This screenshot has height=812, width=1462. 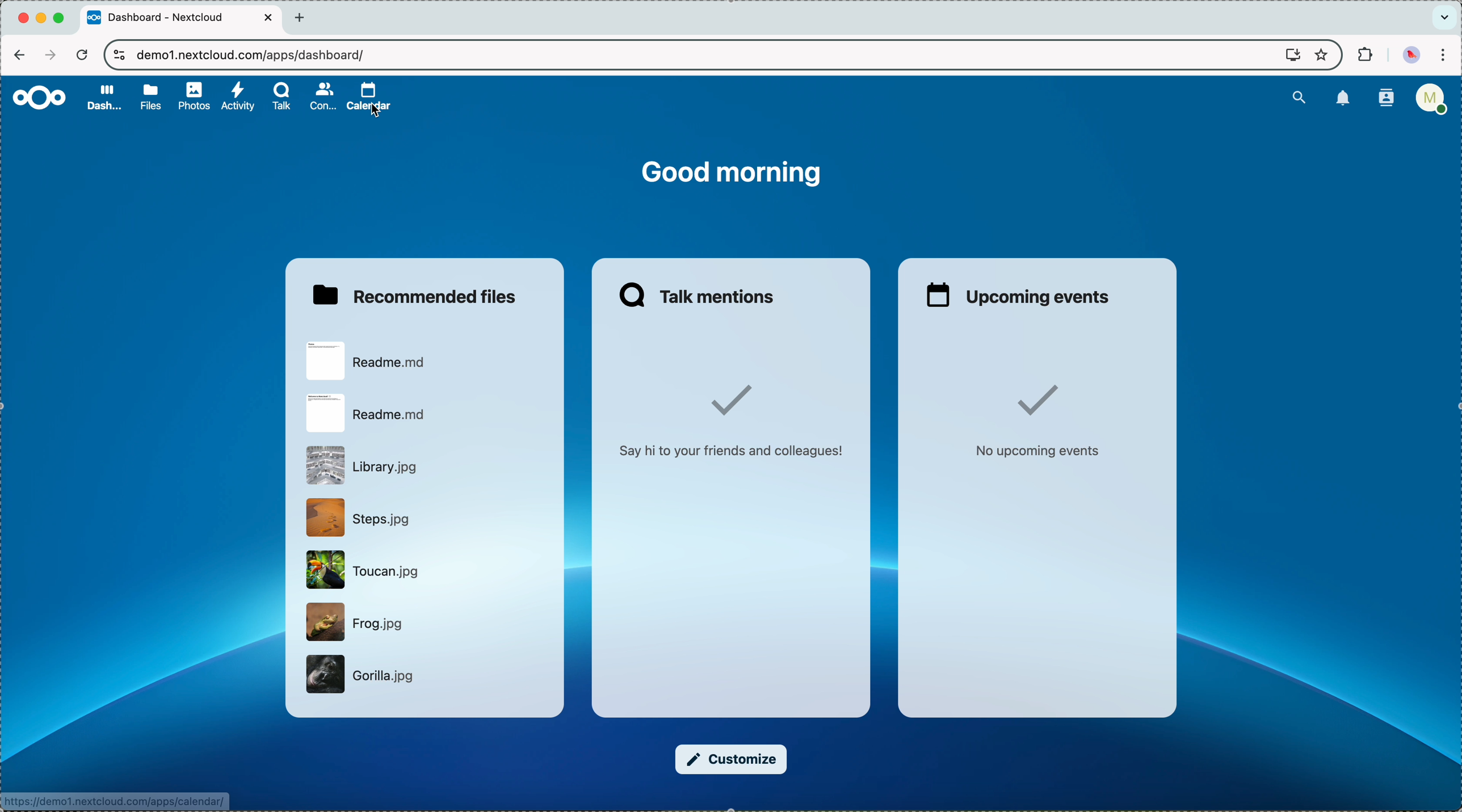 What do you see at coordinates (117, 802) in the screenshot?
I see `URL` at bounding box center [117, 802].